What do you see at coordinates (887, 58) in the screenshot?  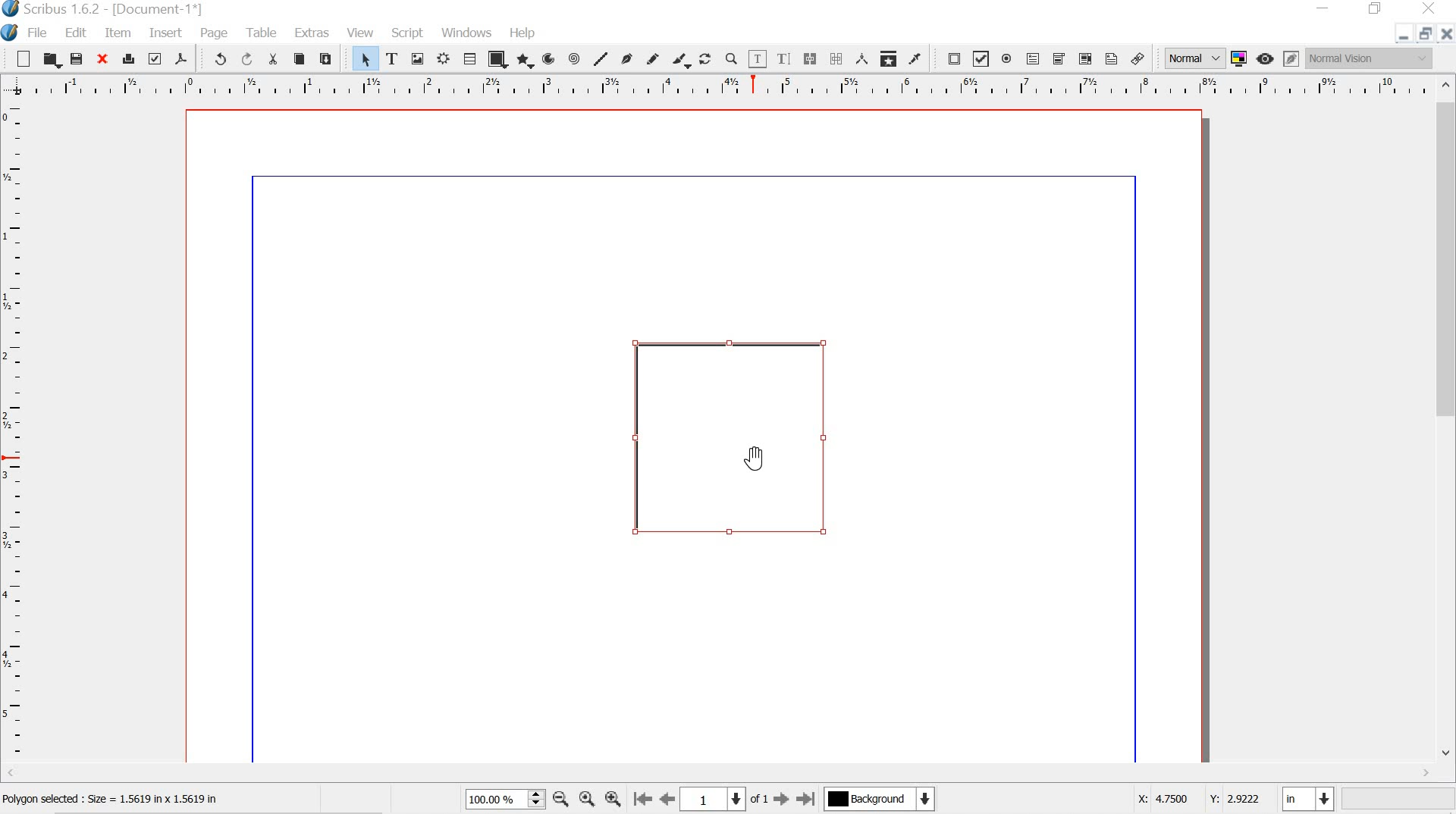 I see `copy item properties` at bounding box center [887, 58].